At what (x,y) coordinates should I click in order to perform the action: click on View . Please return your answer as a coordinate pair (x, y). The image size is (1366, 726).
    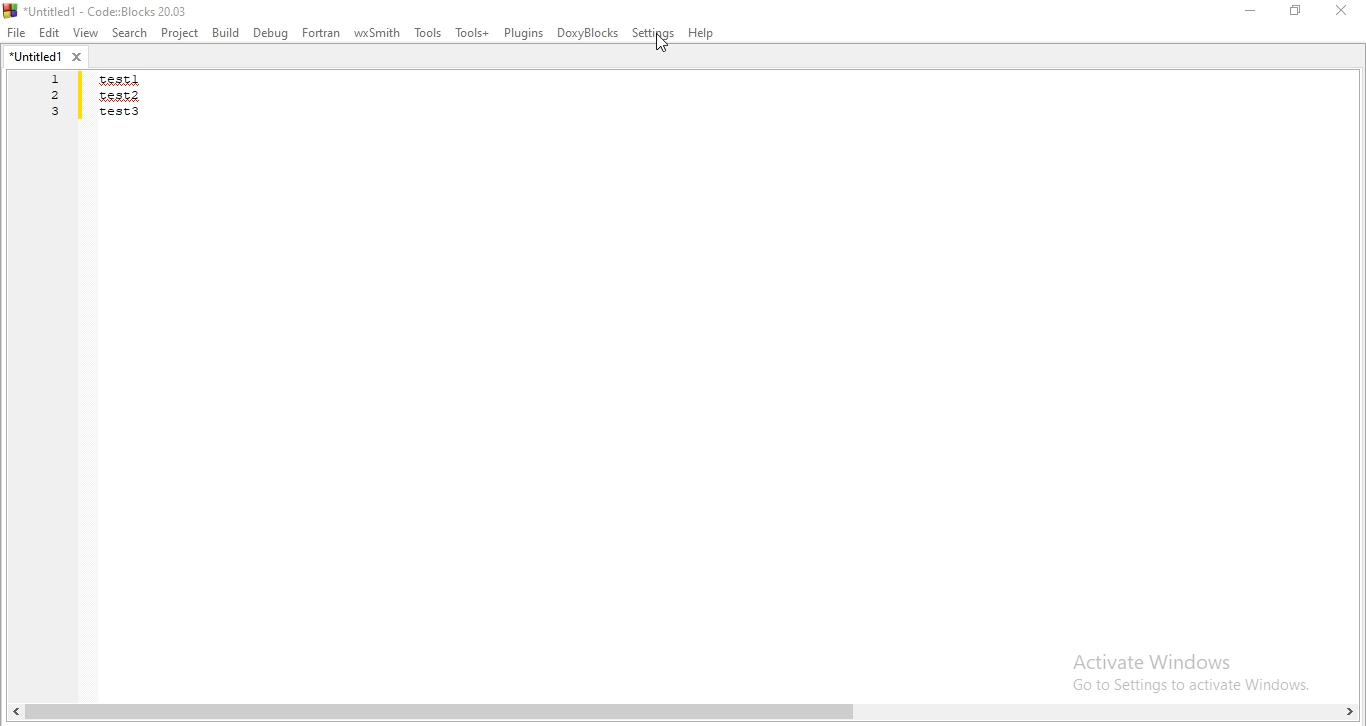
    Looking at the image, I should click on (86, 32).